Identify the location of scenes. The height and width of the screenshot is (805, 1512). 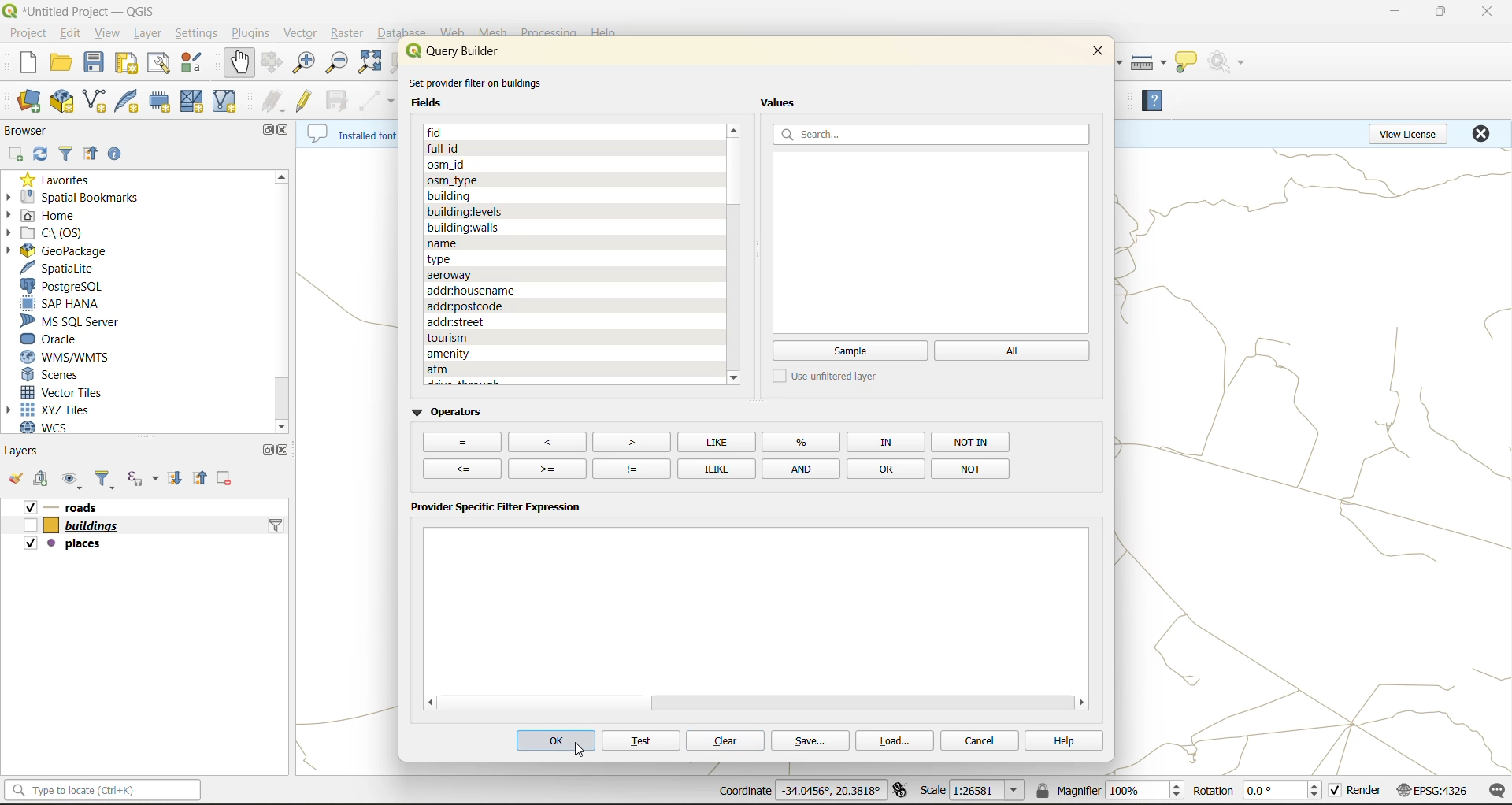
(59, 374).